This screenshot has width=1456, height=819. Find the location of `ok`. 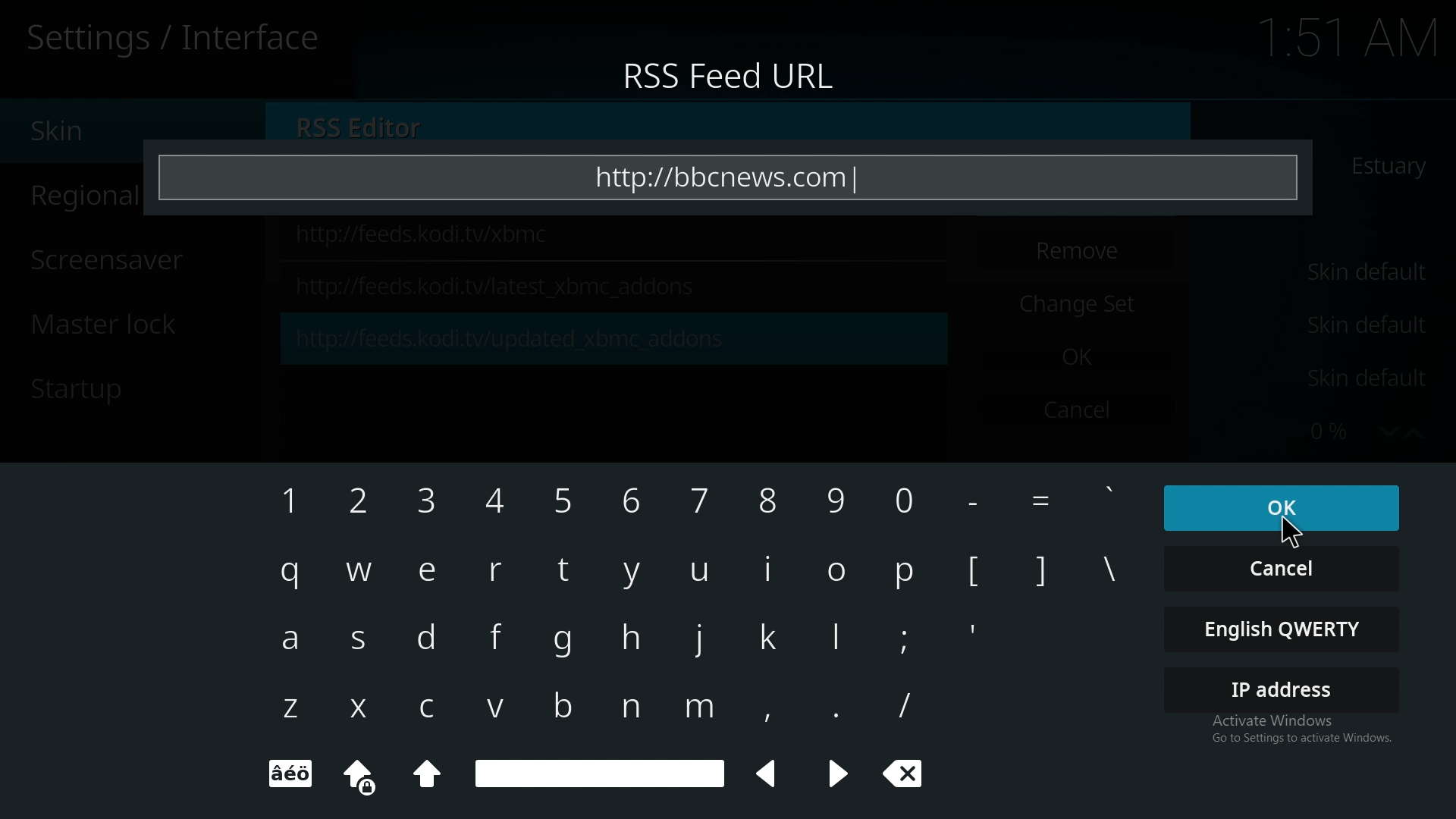

ok is located at coordinates (1276, 508).